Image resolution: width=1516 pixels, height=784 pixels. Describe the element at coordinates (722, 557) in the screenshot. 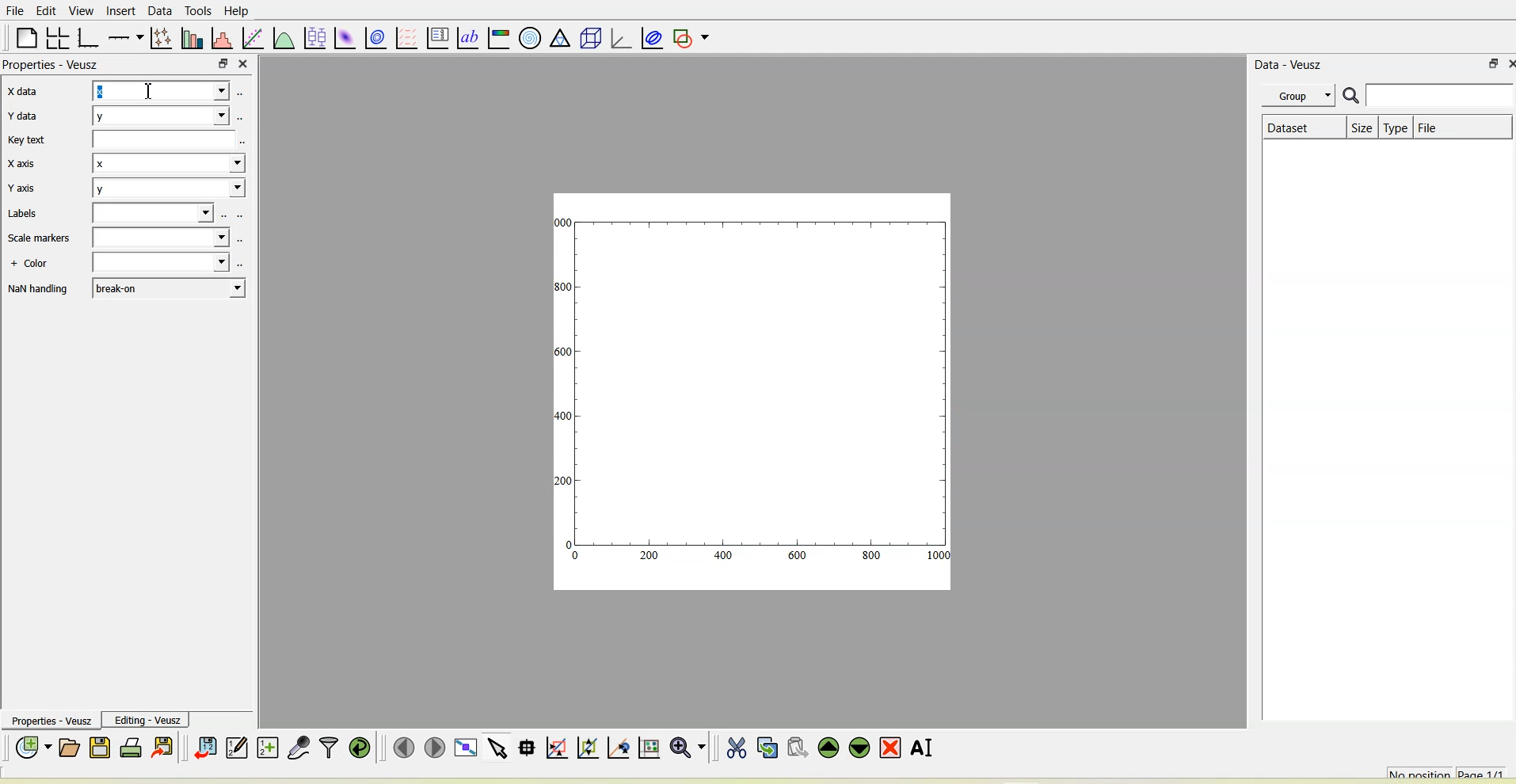

I see `400` at that location.